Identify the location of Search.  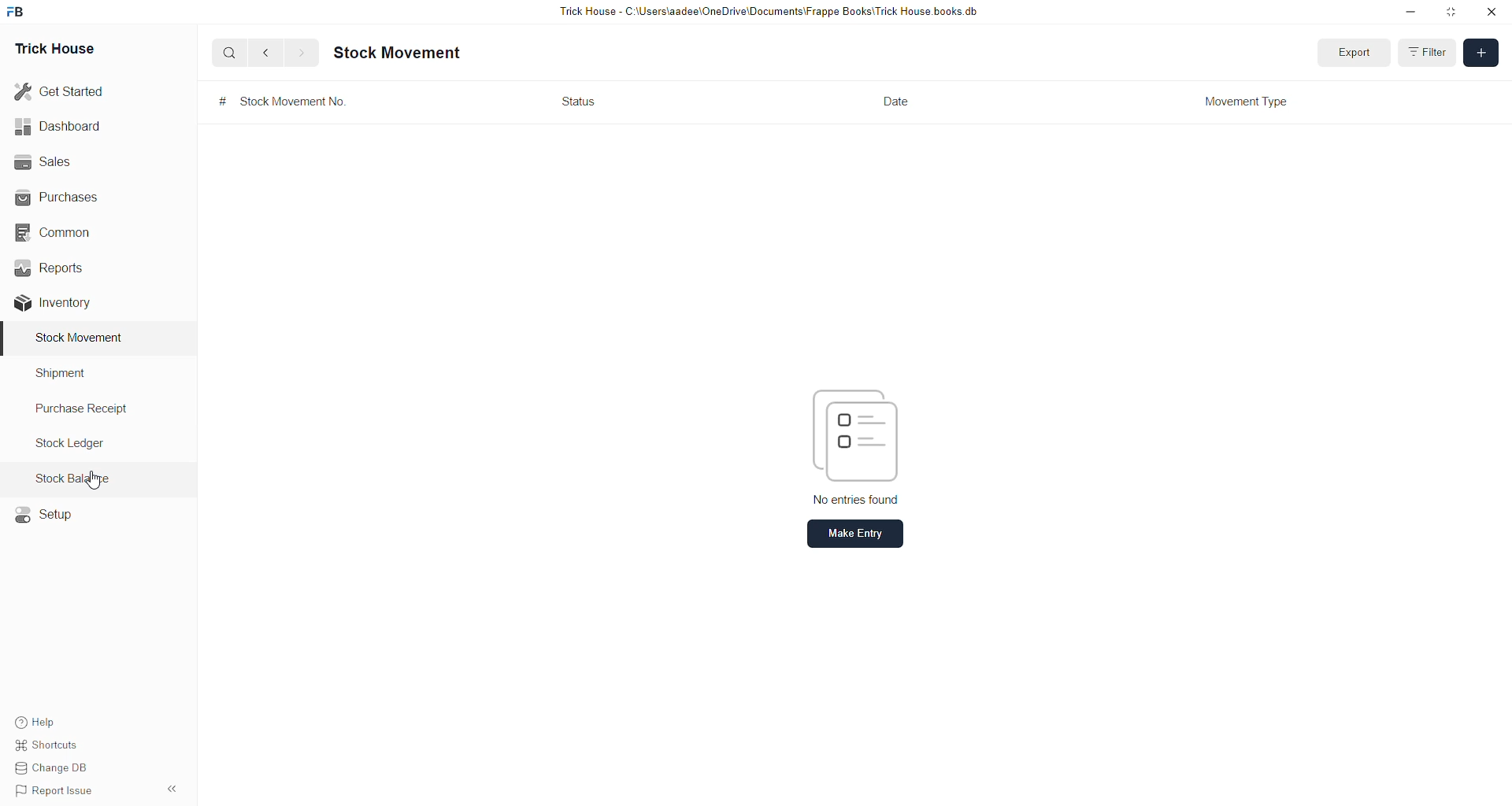
(229, 54).